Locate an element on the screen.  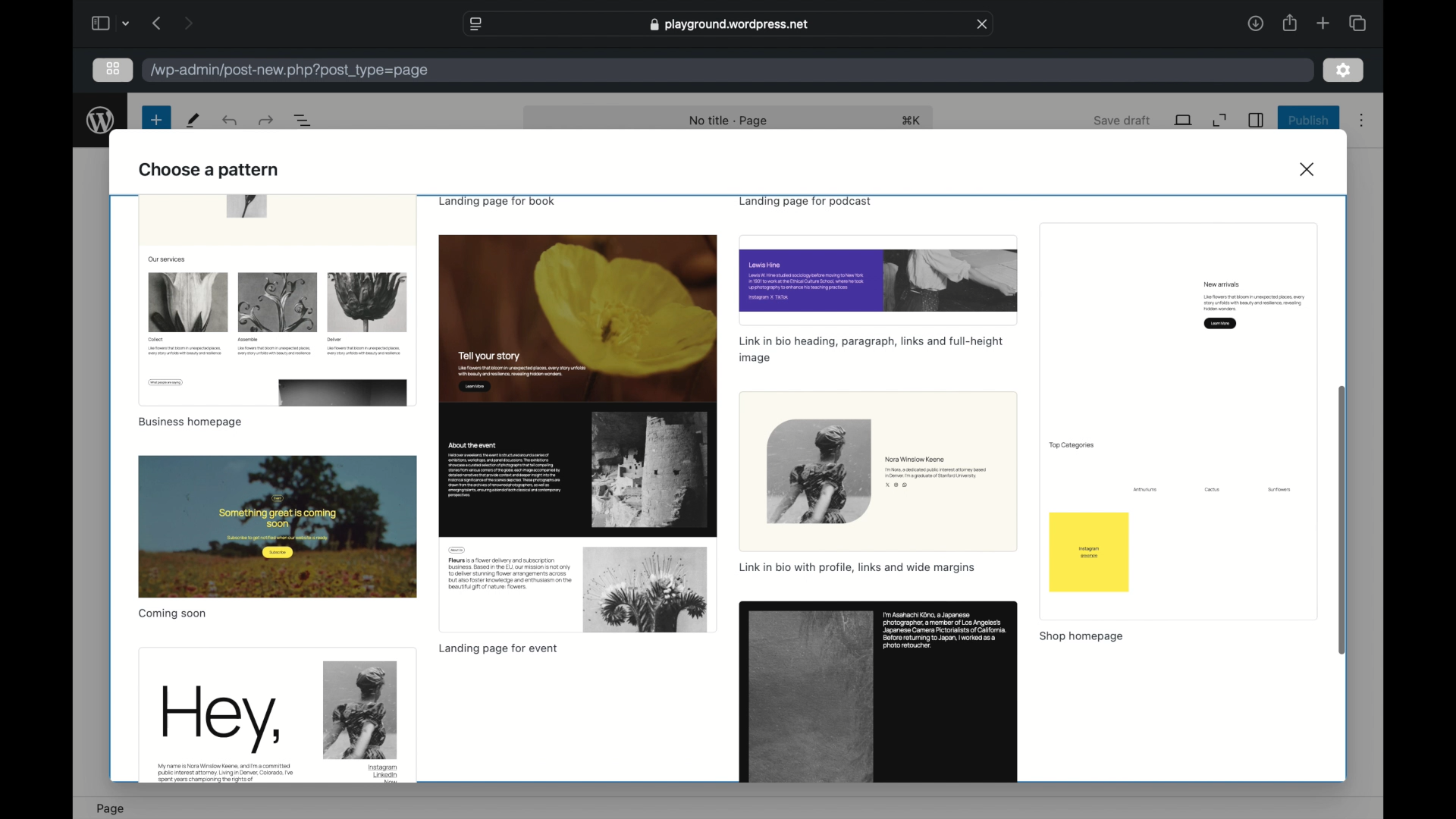
web address is located at coordinates (729, 23).